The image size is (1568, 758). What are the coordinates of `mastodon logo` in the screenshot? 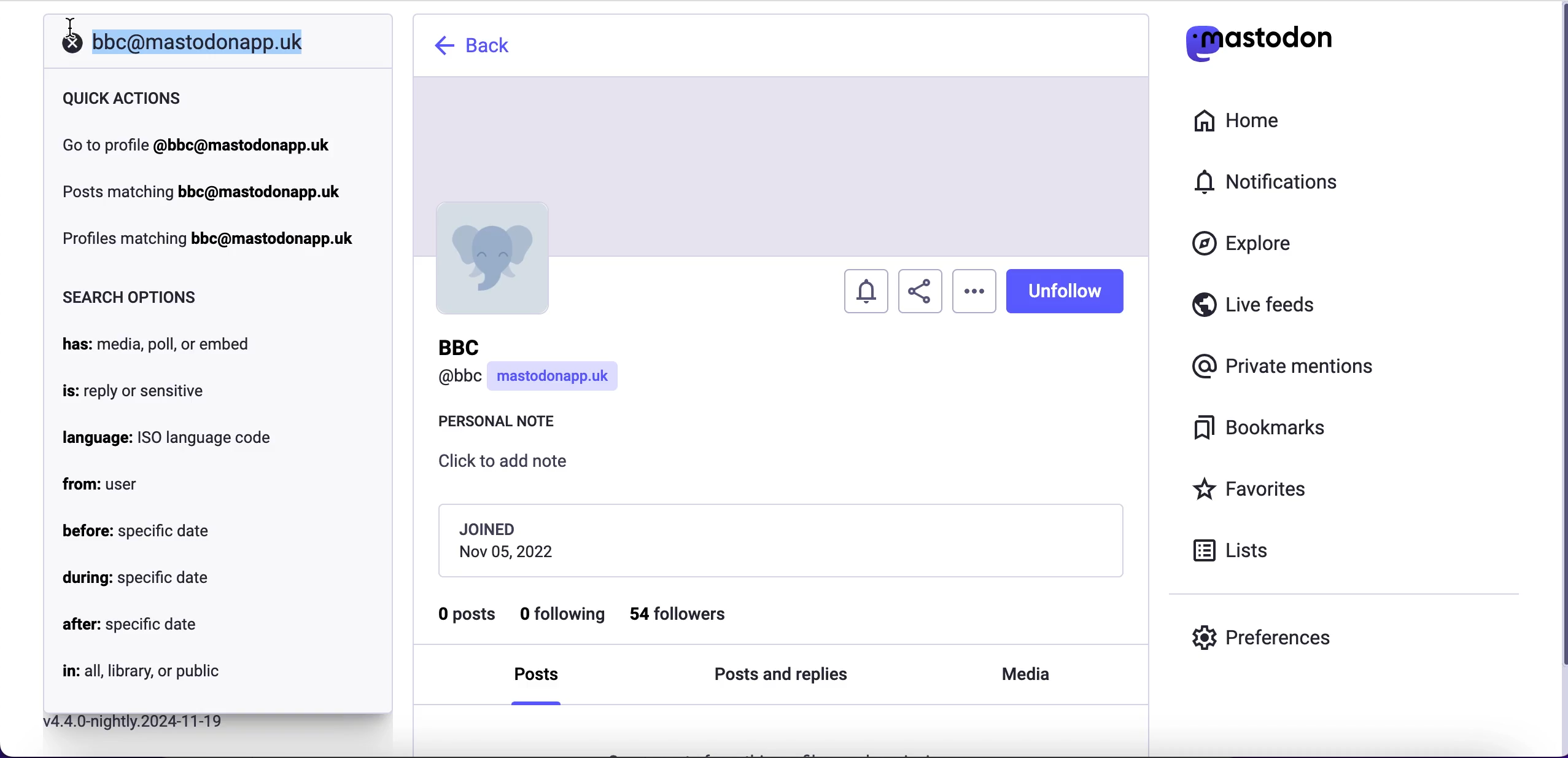 It's located at (1259, 40).